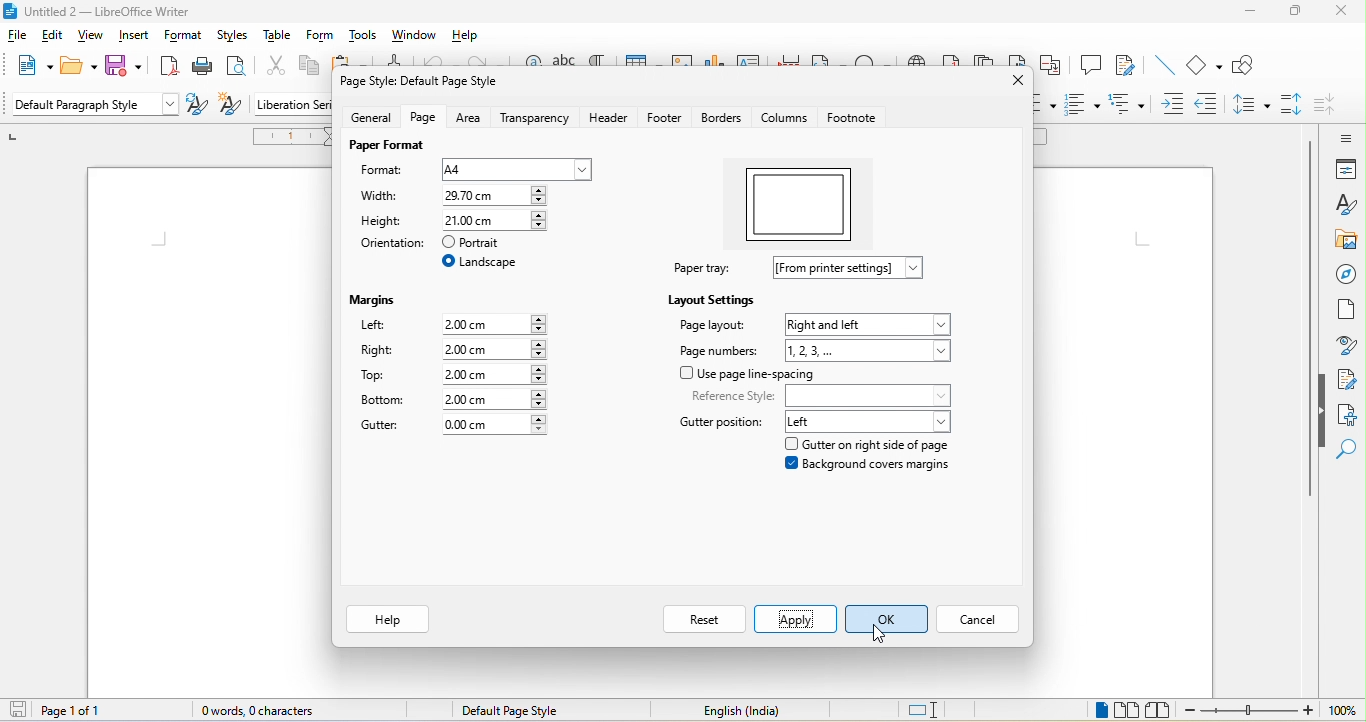  What do you see at coordinates (1124, 68) in the screenshot?
I see `track change functions` at bounding box center [1124, 68].